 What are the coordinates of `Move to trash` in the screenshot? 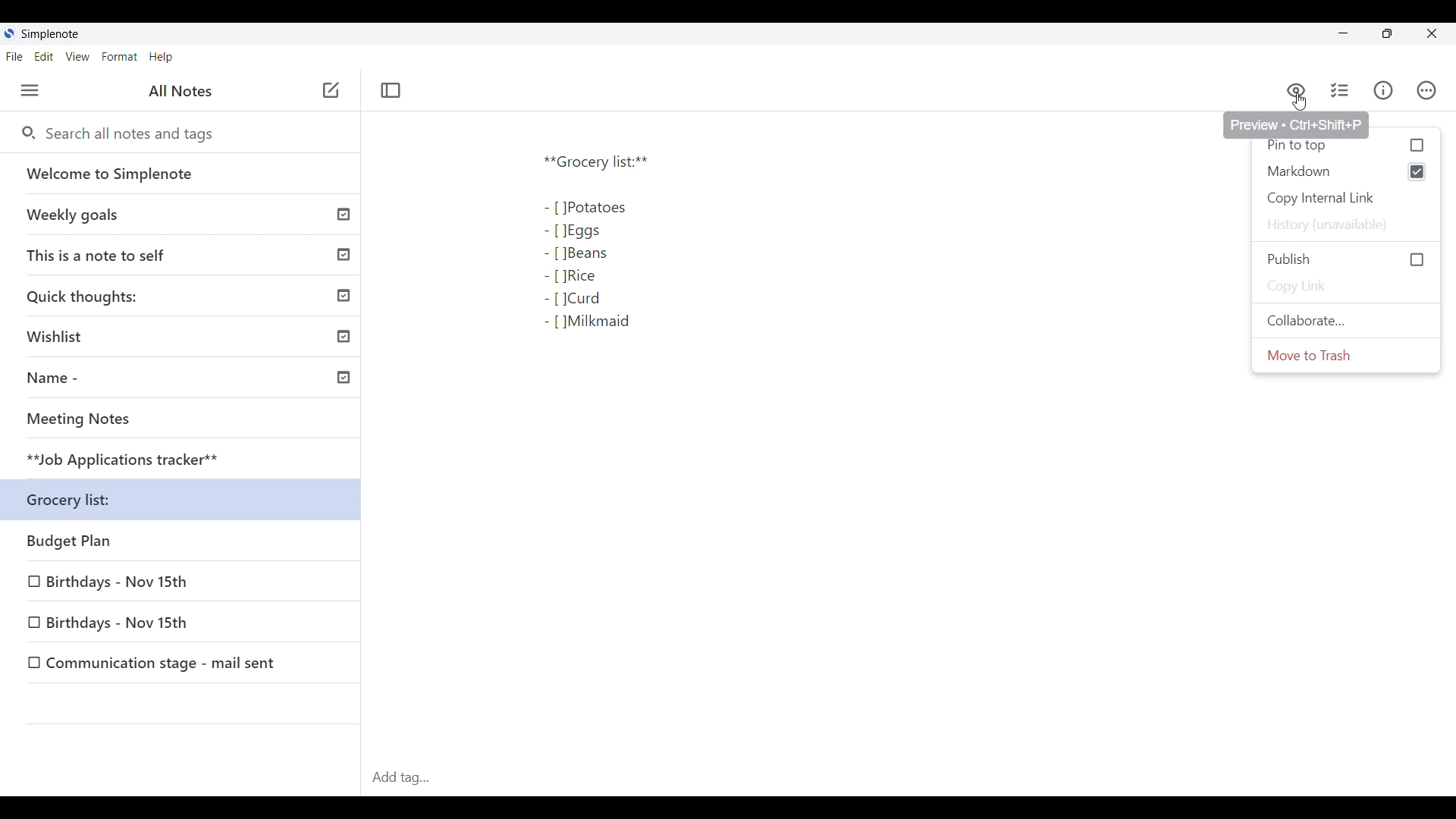 It's located at (1346, 356).